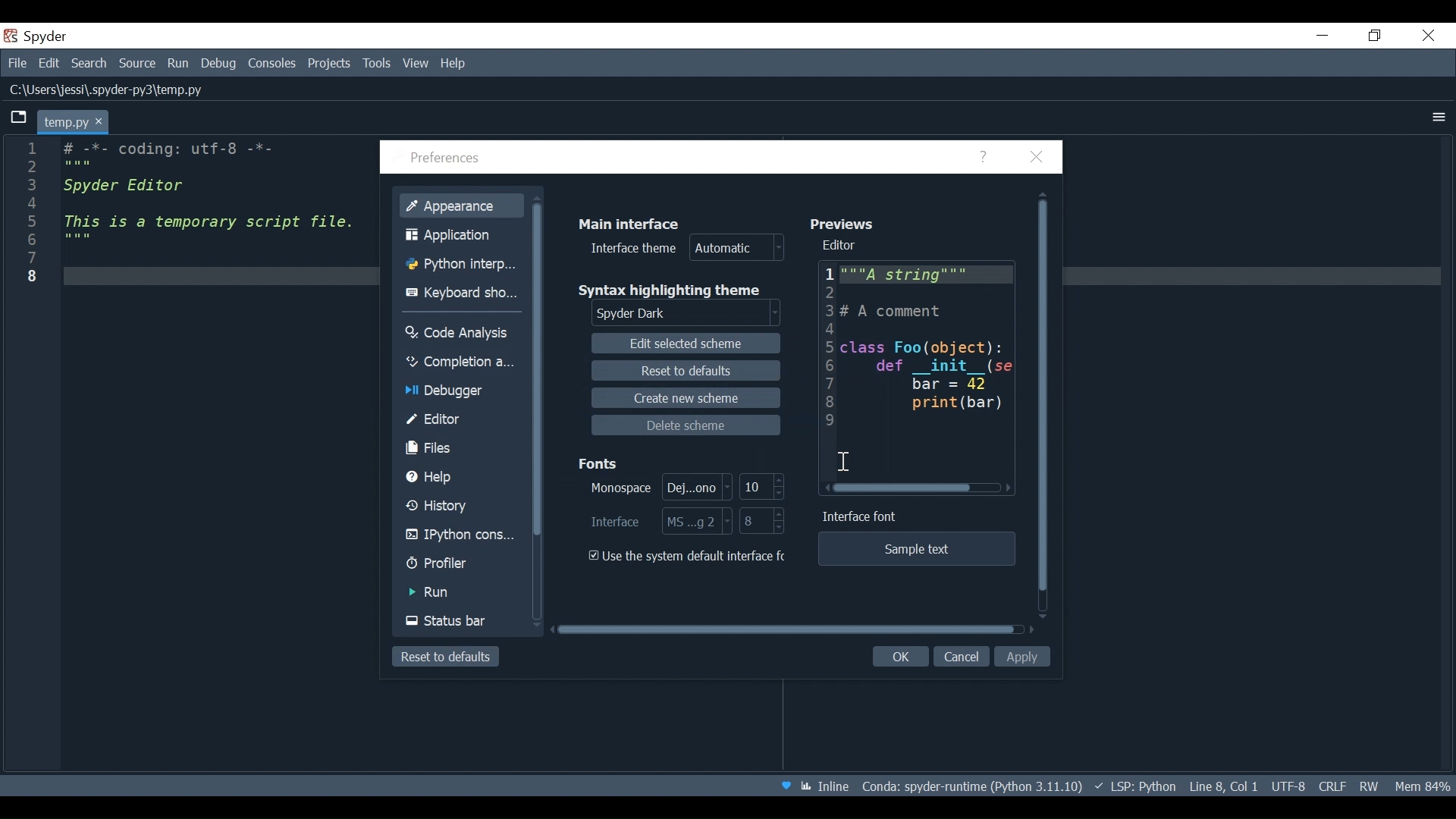 This screenshot has width=1456, height=819. Describe the element at coordinates (19, 118) in the screenshot. I see `Browse Tab` at that location.